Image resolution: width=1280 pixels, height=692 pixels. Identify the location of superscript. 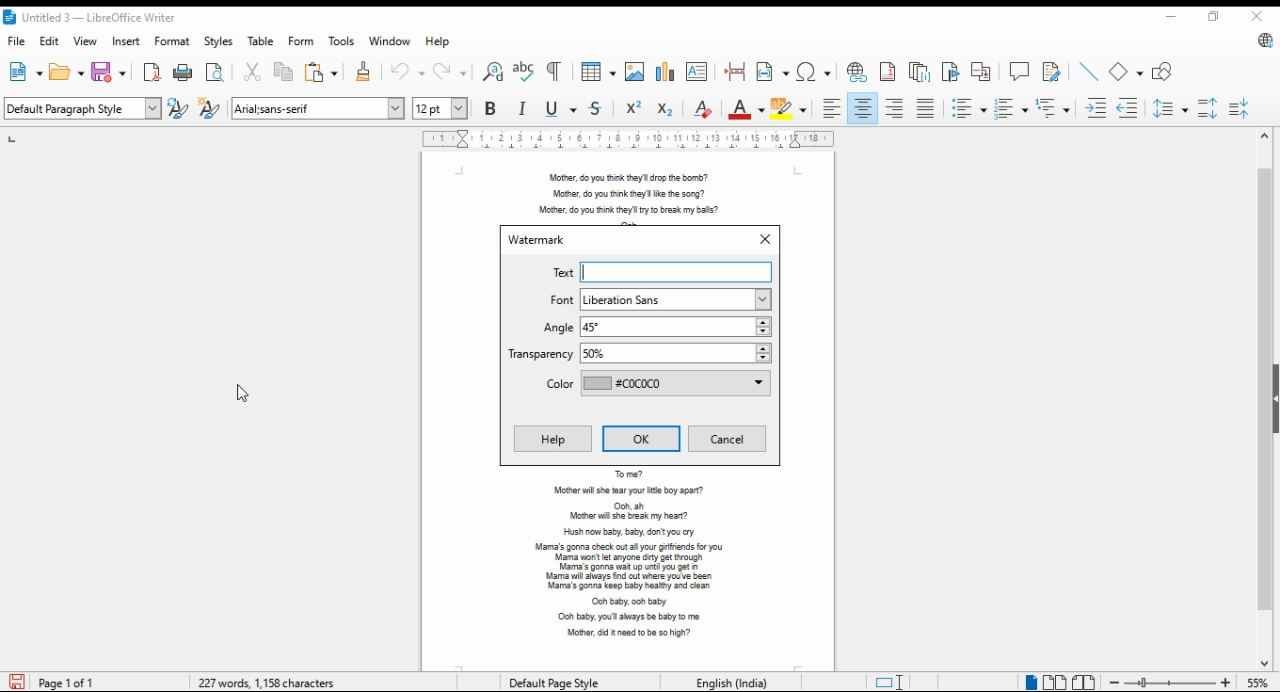
(633, 108).